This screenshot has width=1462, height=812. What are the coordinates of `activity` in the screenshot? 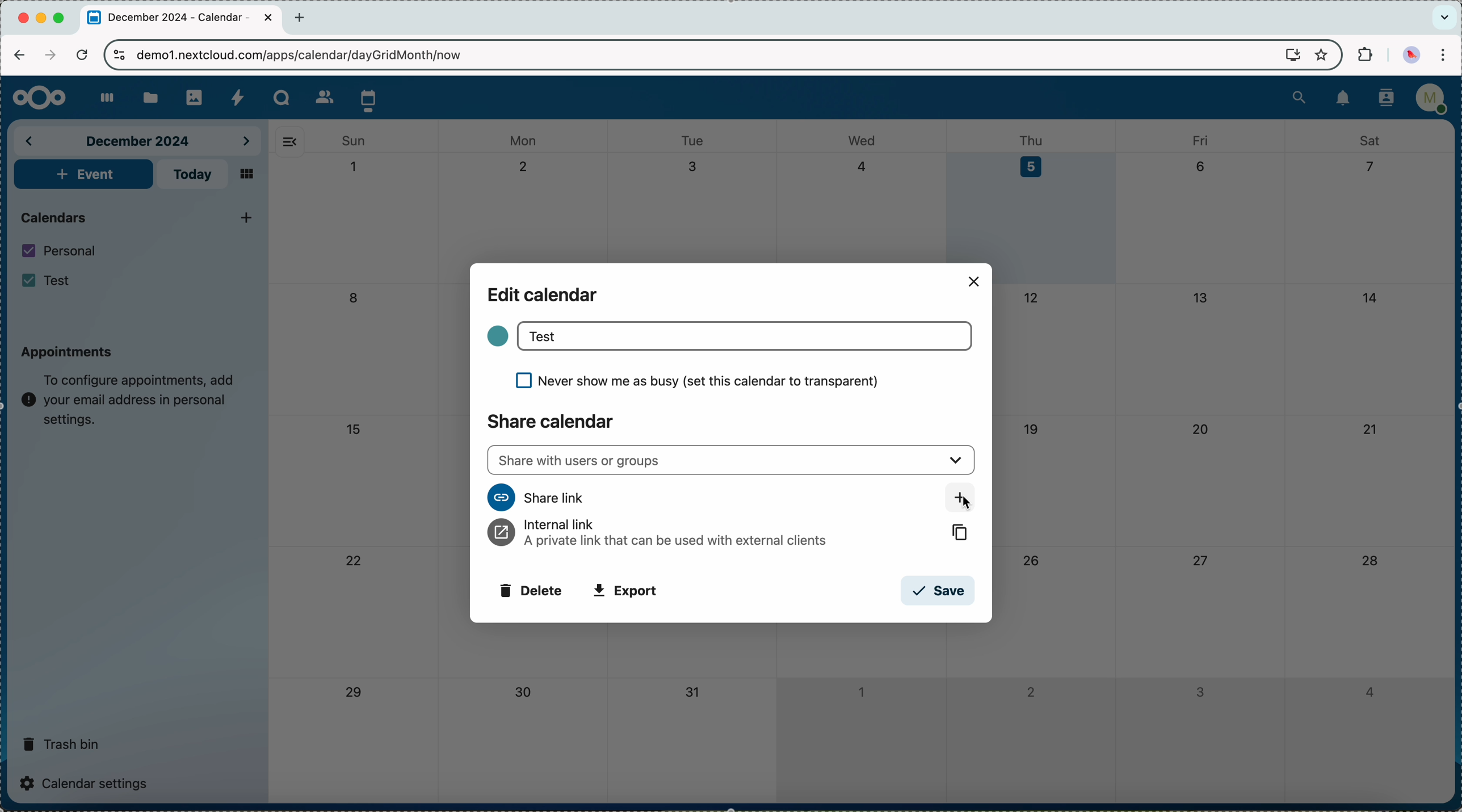 It's located at (238, 97).